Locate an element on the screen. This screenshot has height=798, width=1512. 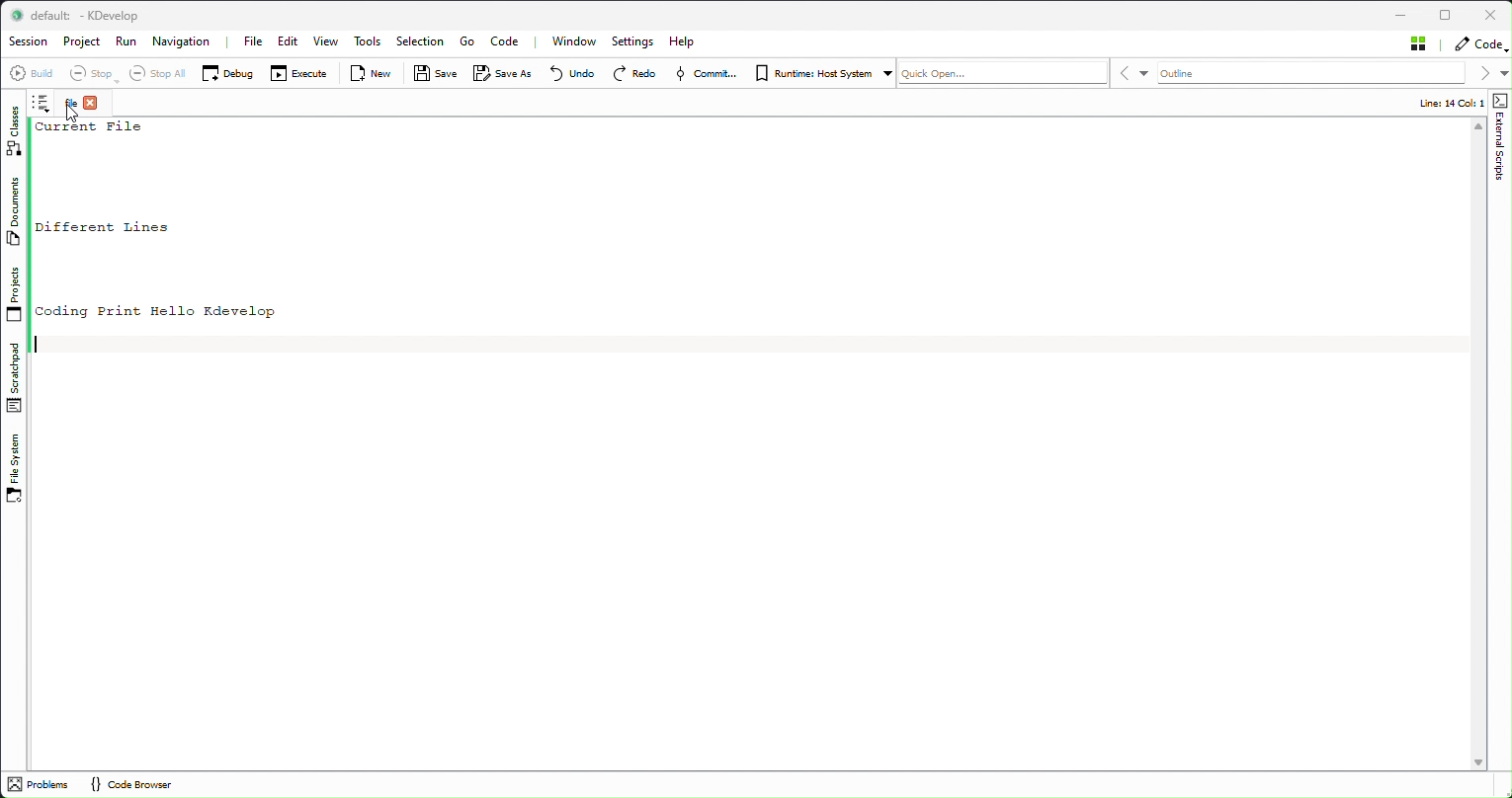
default - KDevelop is located at coordinates (85, 16).